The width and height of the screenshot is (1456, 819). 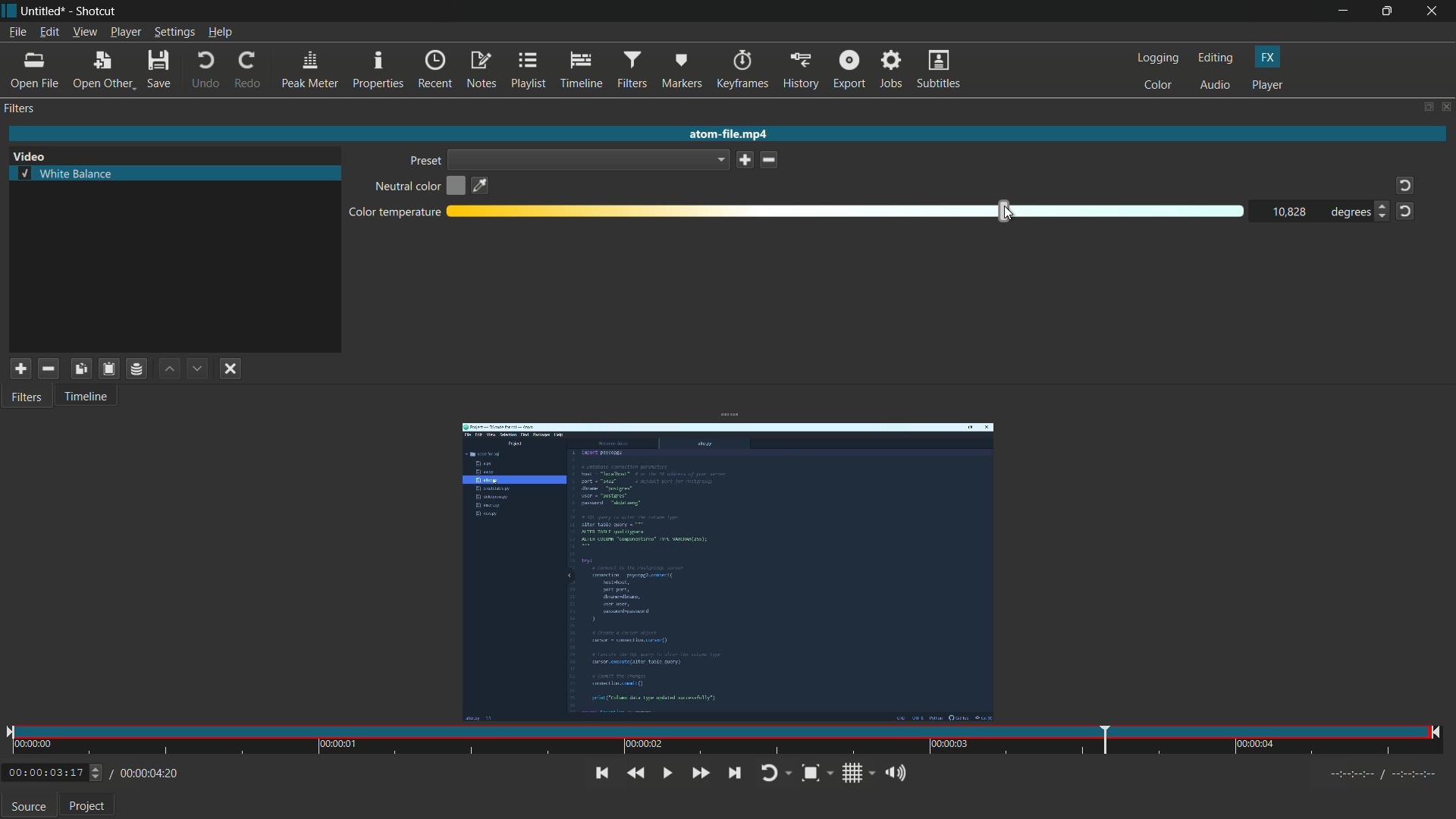 I want to click on save, so click(x=158, y=67).